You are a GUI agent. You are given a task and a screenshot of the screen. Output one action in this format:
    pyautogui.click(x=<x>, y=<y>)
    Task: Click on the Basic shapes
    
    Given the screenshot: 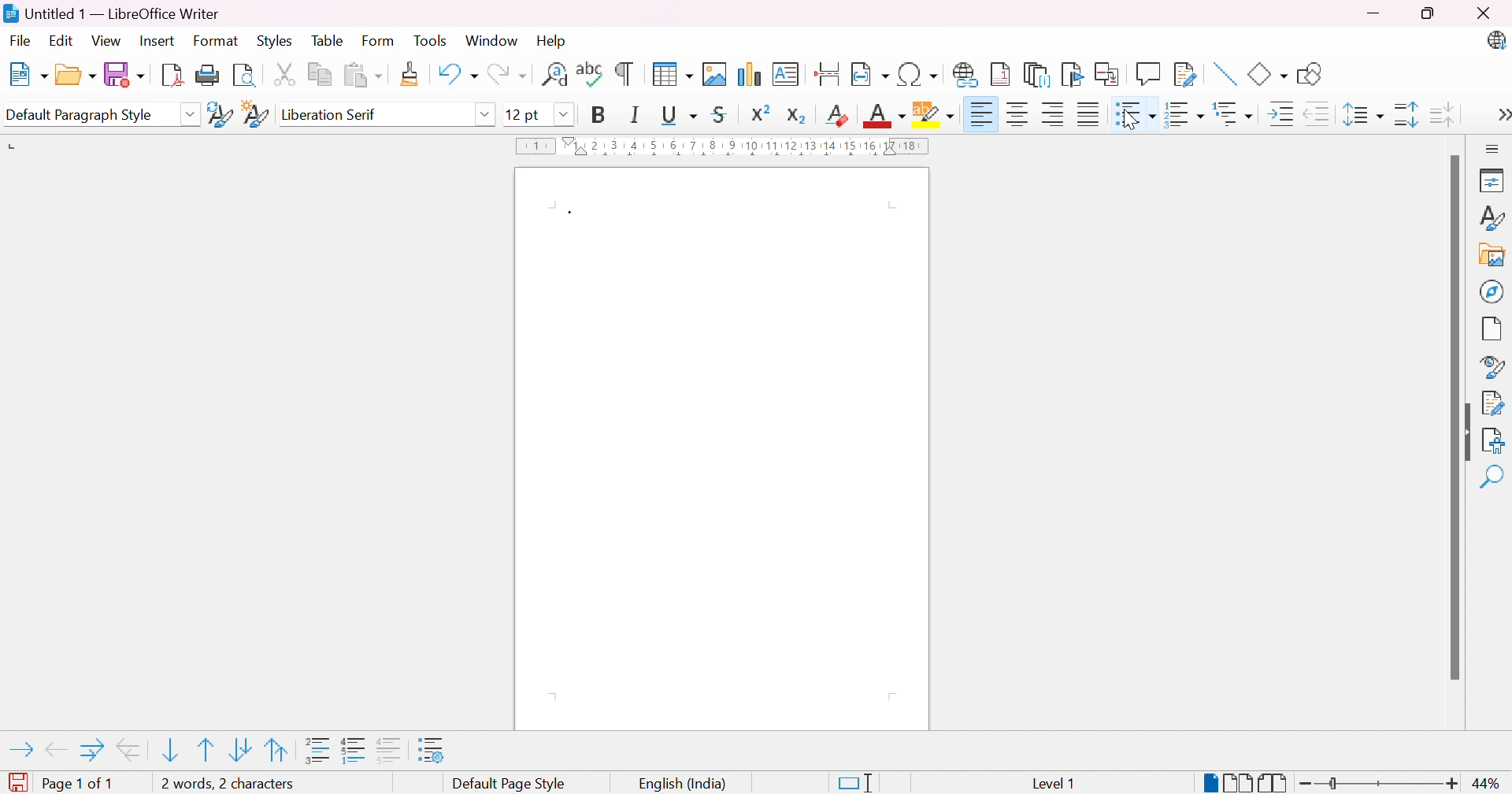 What is the action you would take?
    pyautogui.click(x=1269, y=75)
    